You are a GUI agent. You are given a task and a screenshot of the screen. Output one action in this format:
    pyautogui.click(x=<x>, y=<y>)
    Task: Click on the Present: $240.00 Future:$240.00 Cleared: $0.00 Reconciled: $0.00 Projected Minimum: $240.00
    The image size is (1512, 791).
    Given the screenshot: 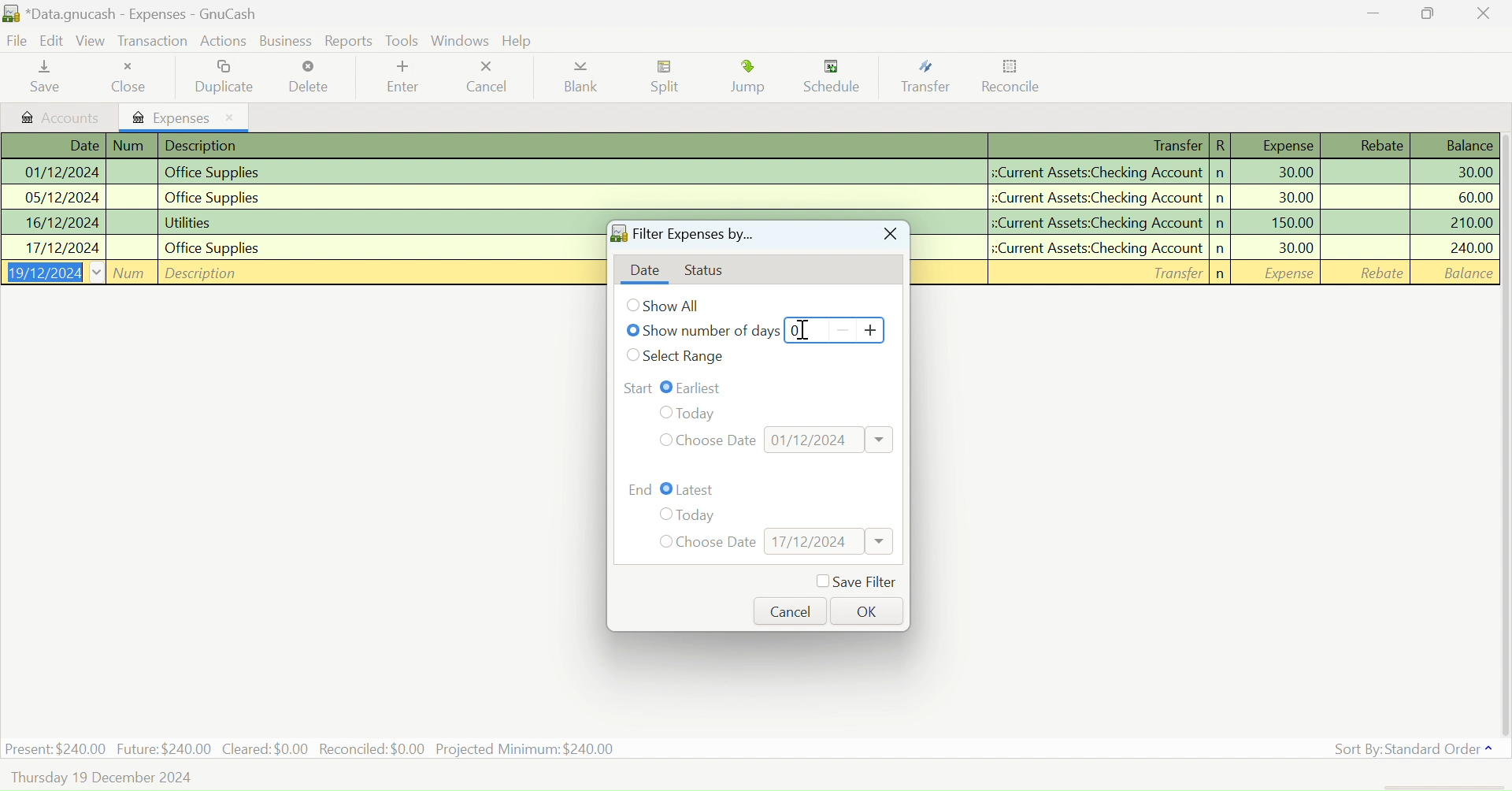 What is the action you would take?
    pyautogui.click(x=312, y=748)
    